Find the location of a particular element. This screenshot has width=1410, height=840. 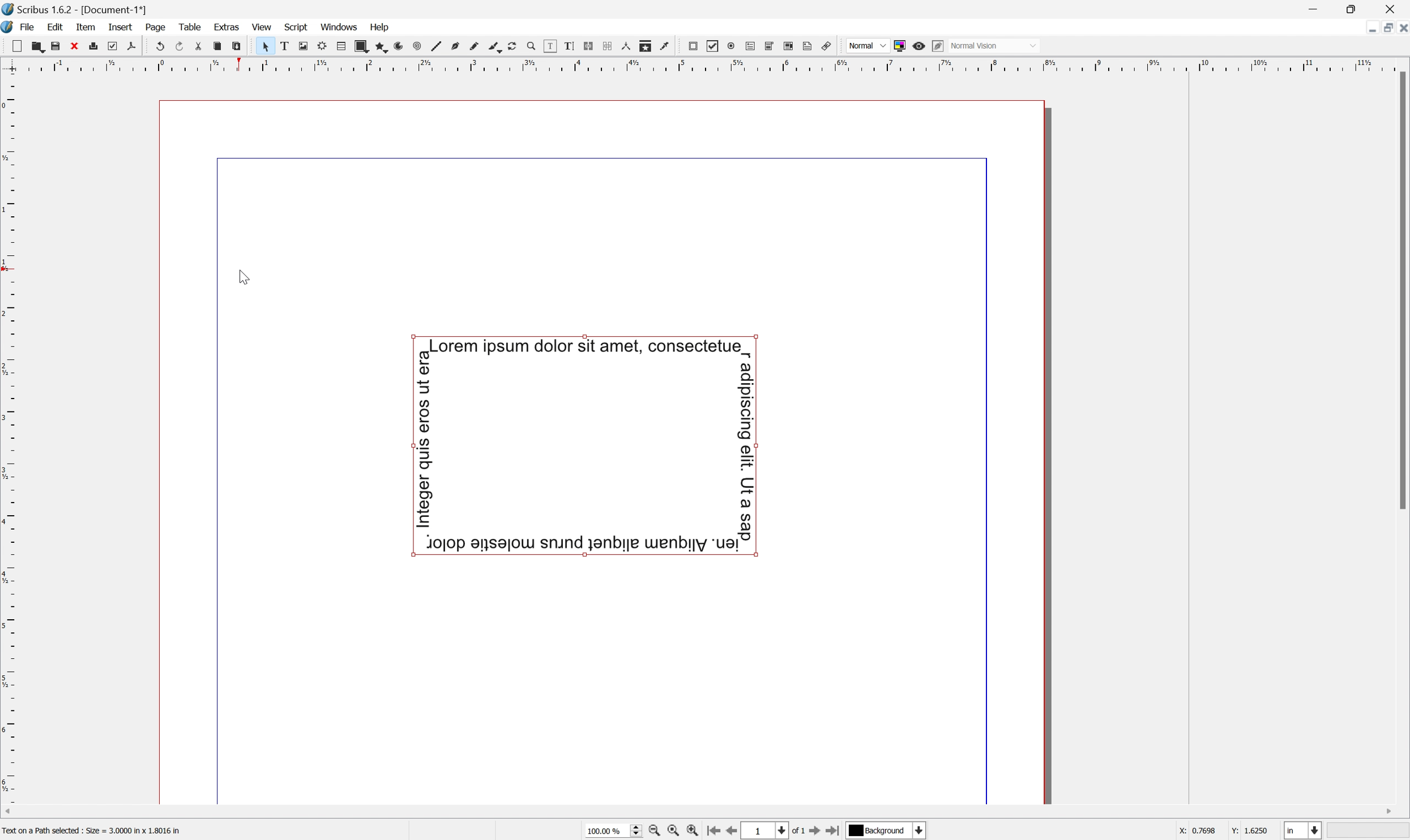

PDF push button is located at coordinates (694, 46).